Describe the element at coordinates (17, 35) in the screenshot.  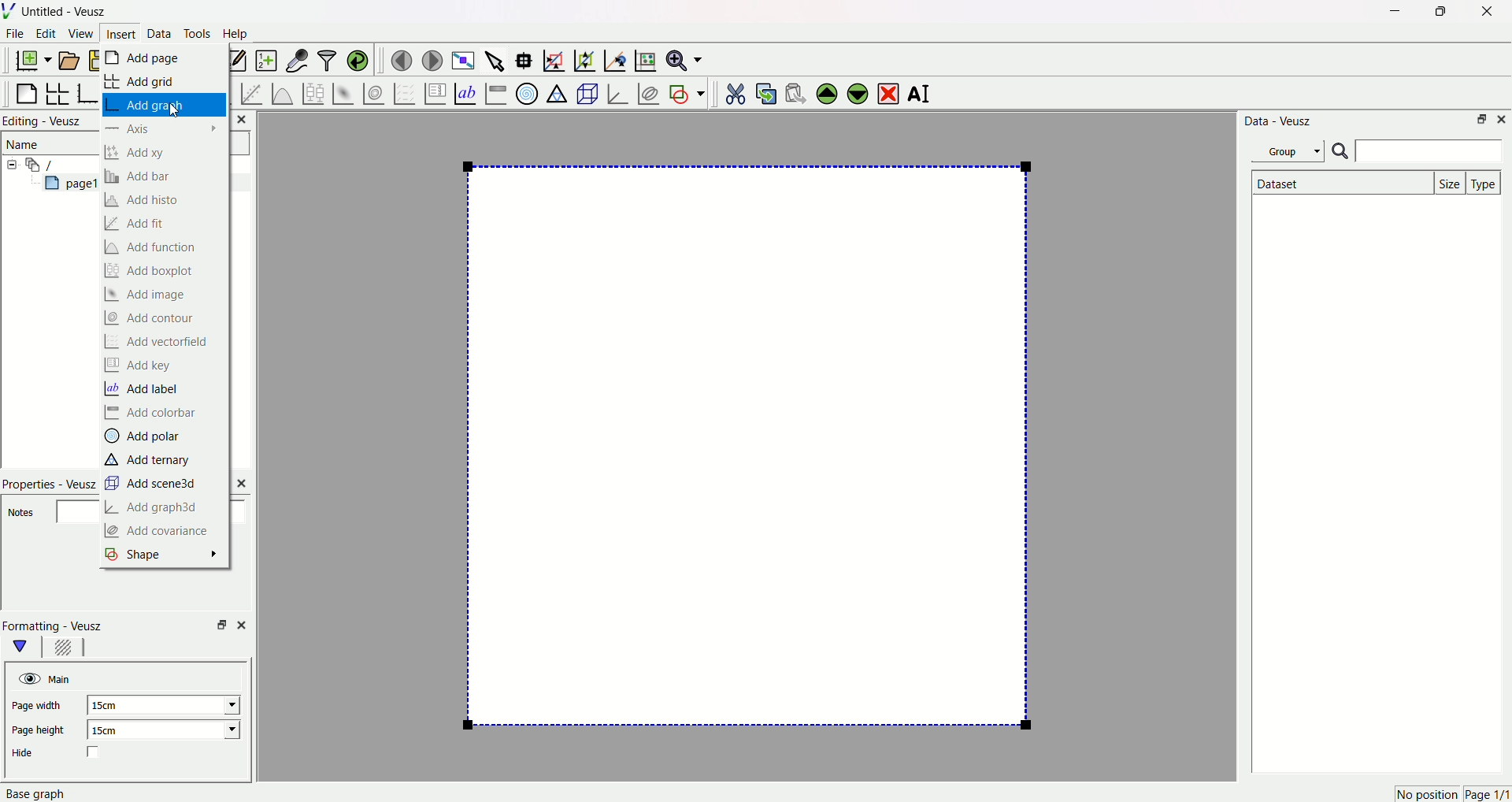
I see `File` at that location.